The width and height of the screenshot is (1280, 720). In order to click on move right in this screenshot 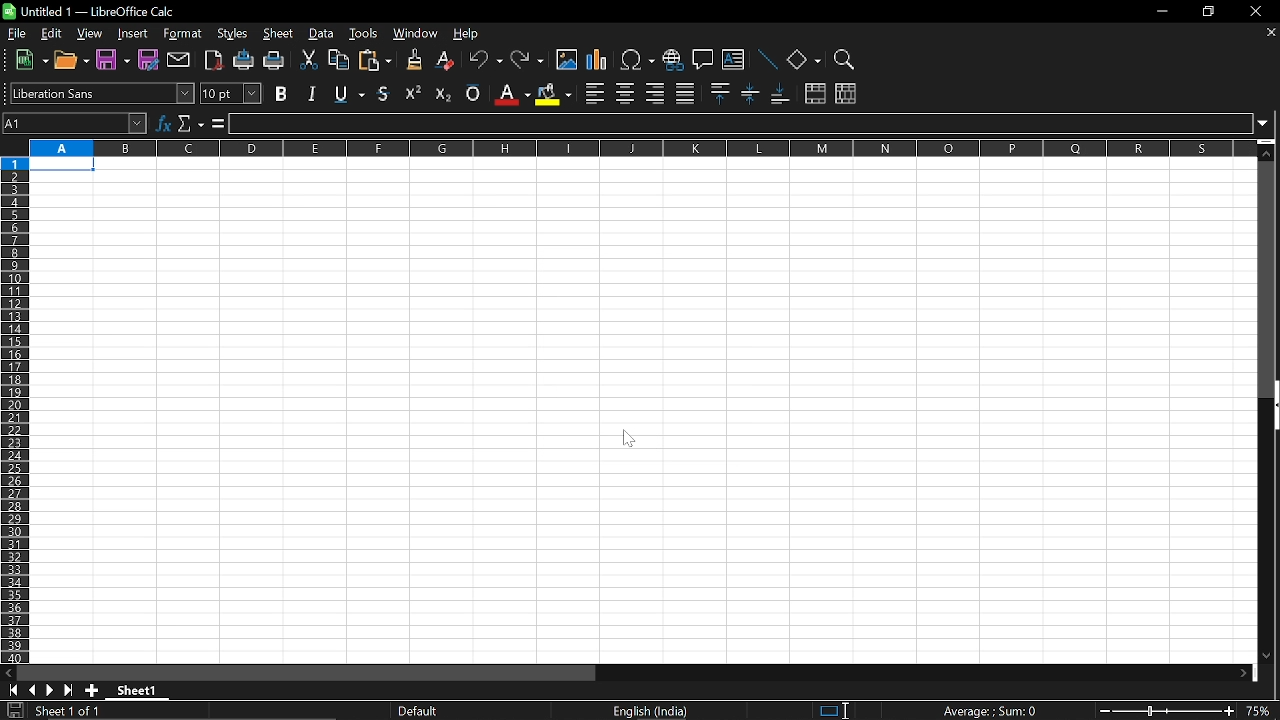, I will do `click(1248, 673)`.